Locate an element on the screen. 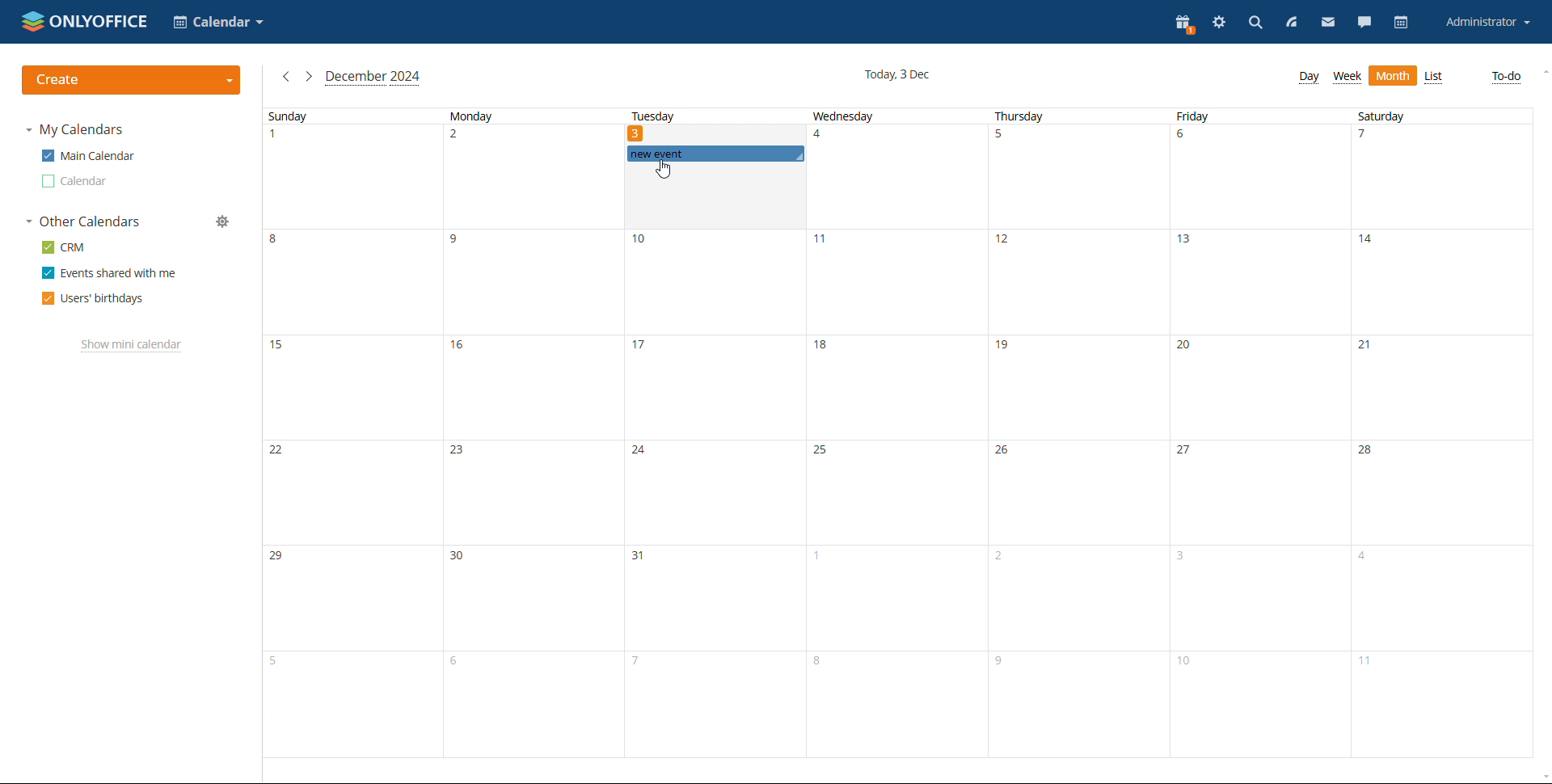  date is located at coordinates (638, 133).